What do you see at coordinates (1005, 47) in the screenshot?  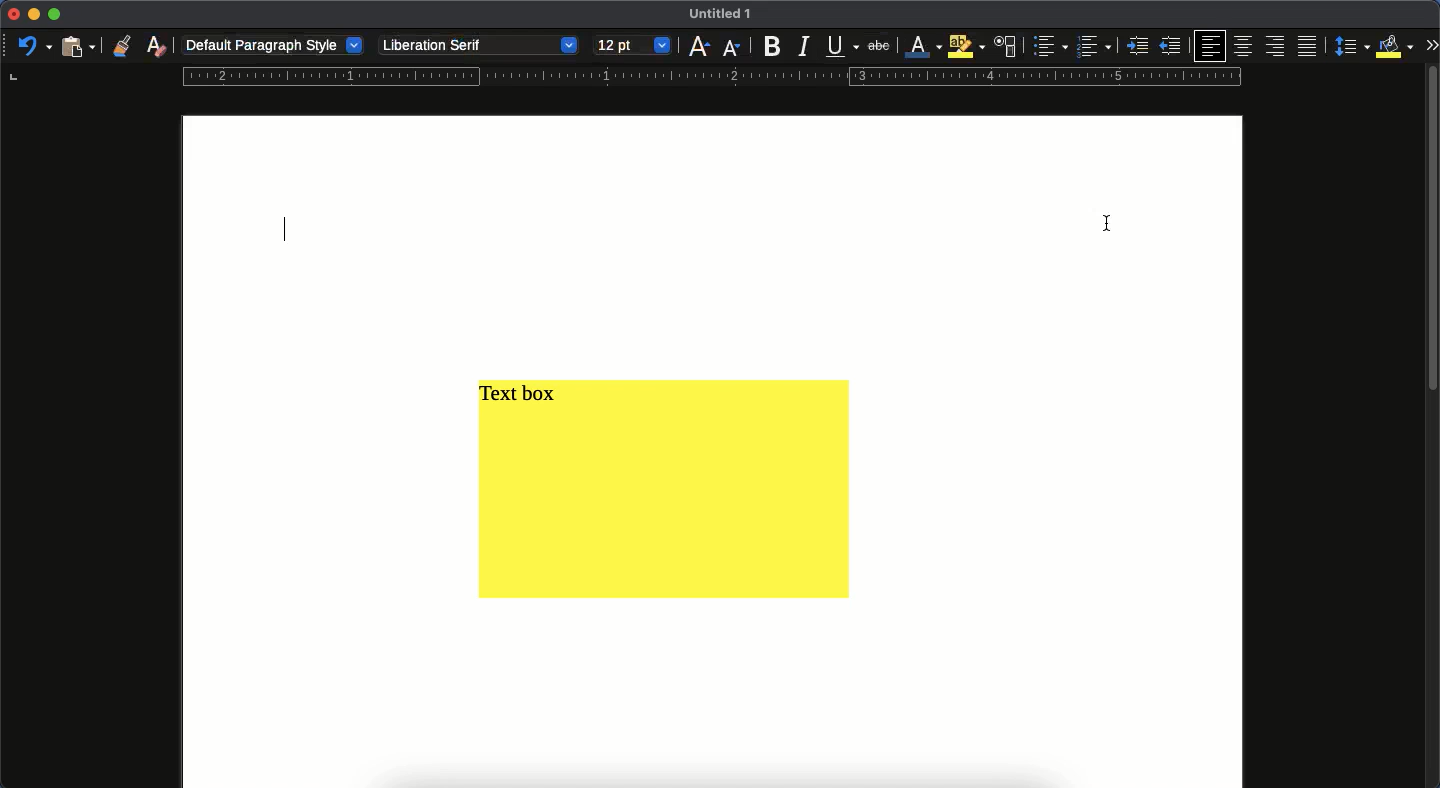 I see `character` at bounding box center [1005, 47].